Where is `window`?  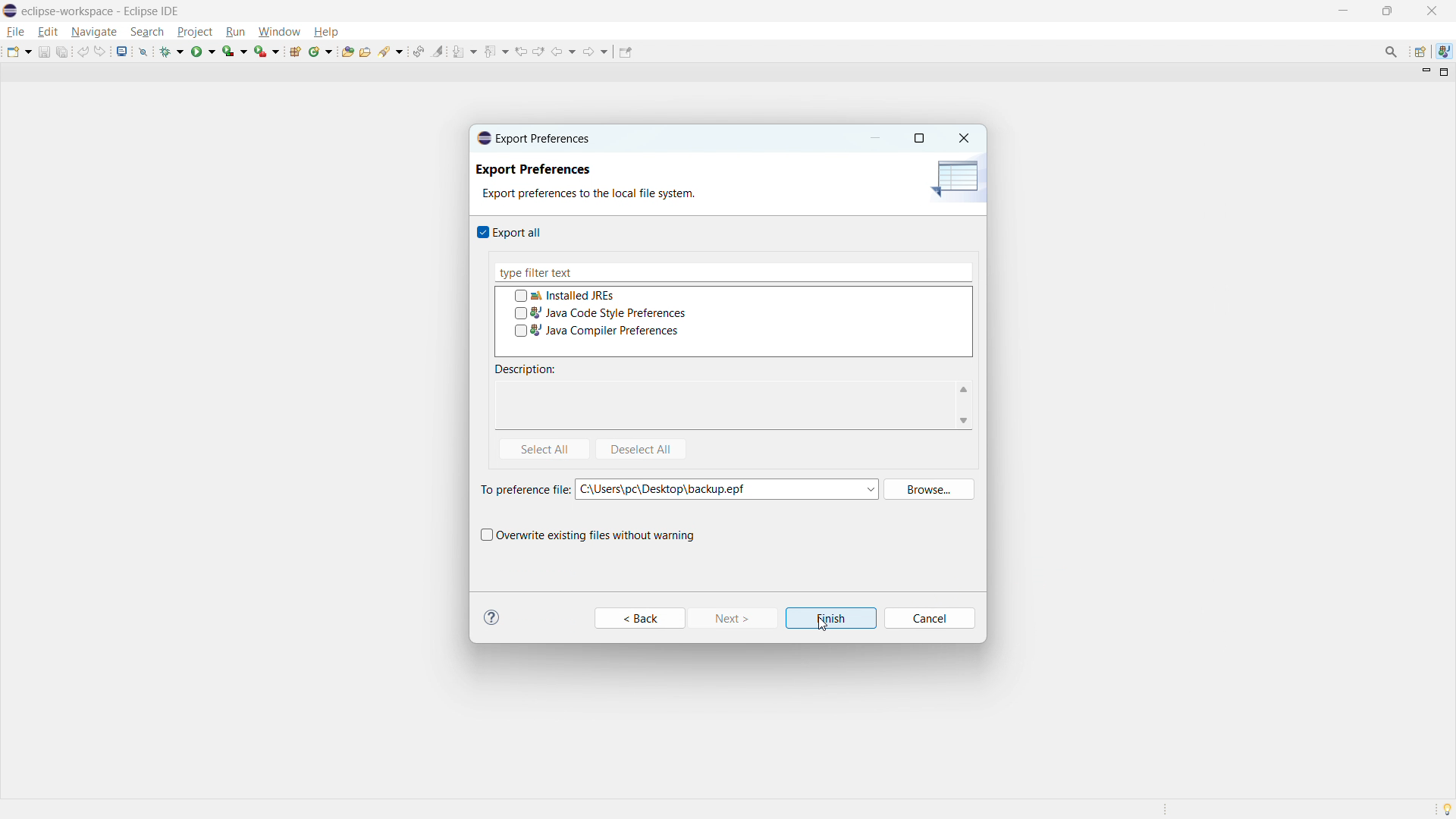 window is located at coordinates (279, 32).